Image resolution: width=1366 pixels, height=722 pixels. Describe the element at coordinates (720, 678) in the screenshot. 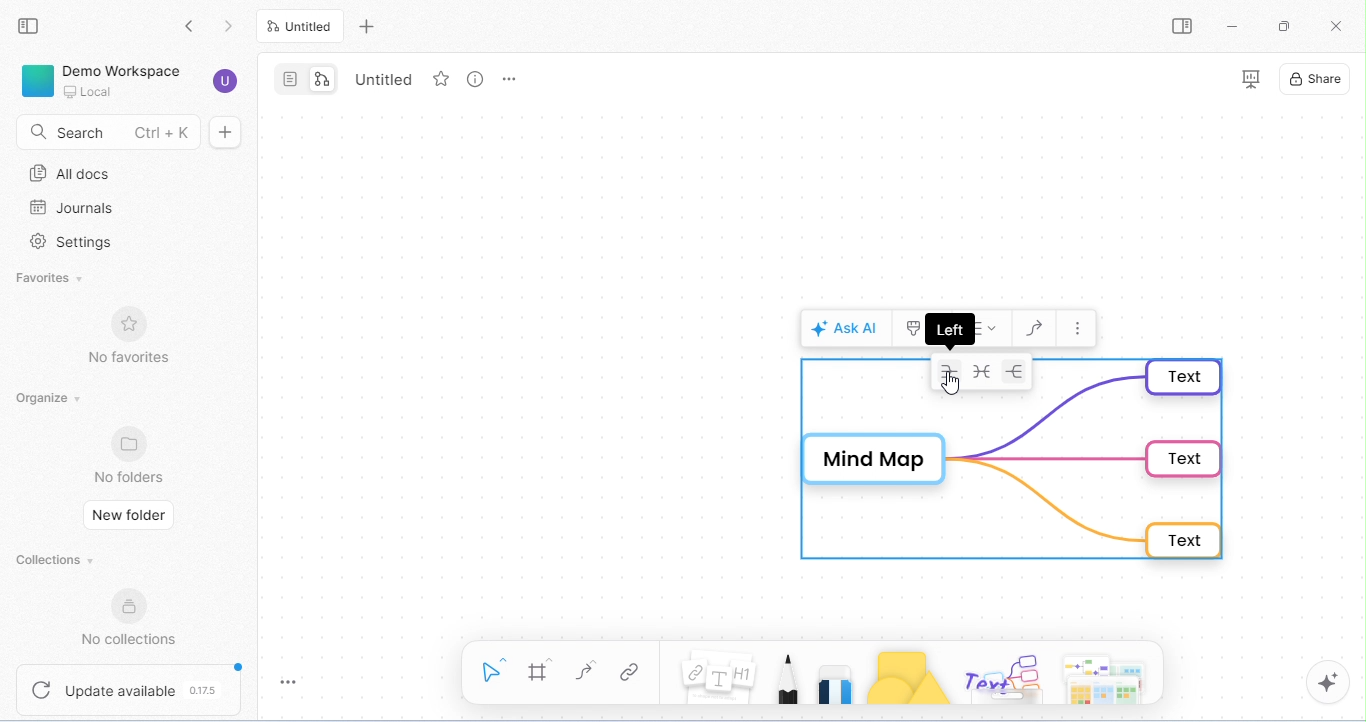

I see `note` at that location.